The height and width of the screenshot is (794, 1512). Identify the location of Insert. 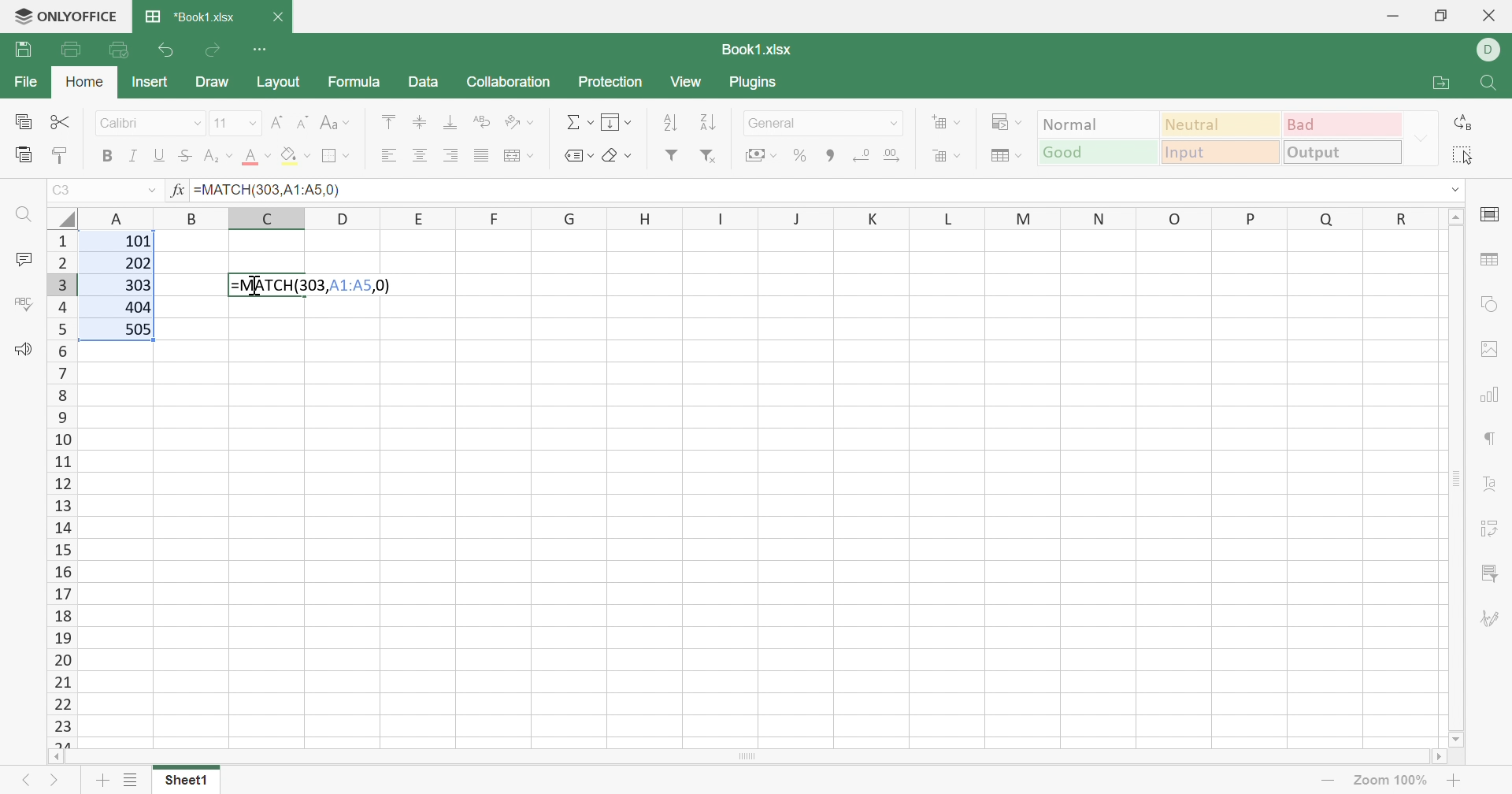
(150, 80).